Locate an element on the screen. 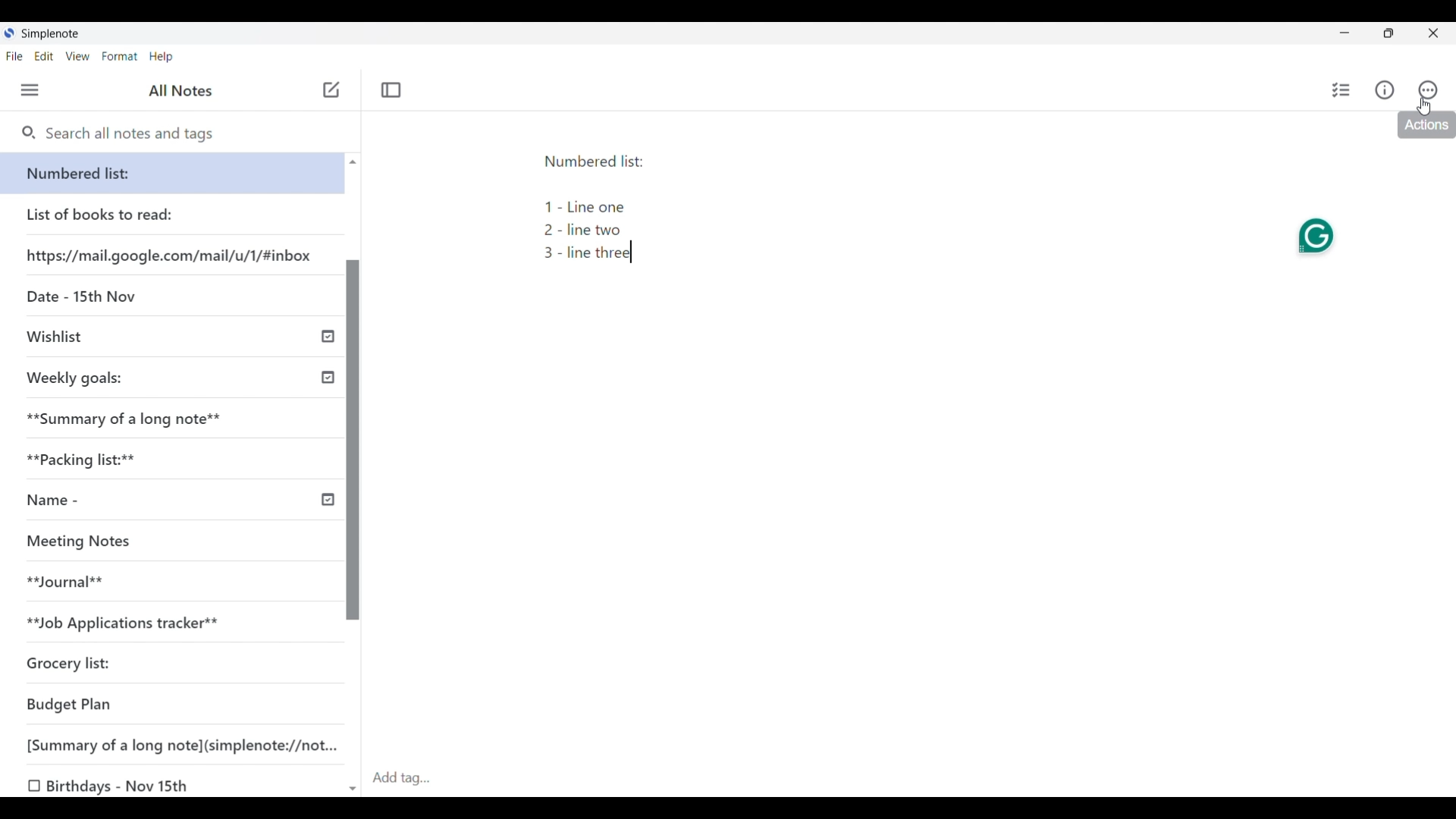  Packiacking list:** is located at coordinates (90, 463).